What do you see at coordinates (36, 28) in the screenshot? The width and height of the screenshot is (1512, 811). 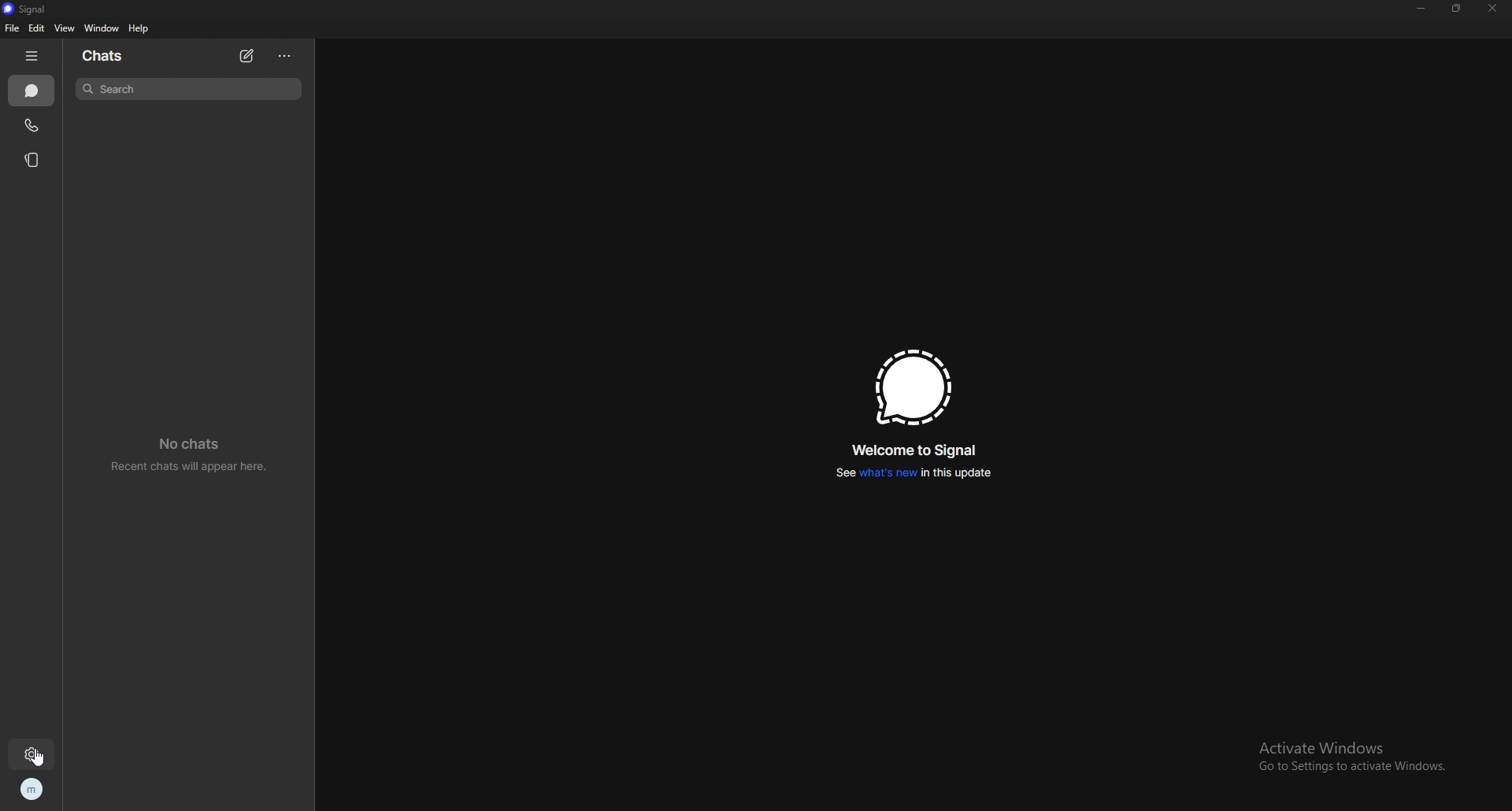 I see `edit` at bounding box center [36, 28].